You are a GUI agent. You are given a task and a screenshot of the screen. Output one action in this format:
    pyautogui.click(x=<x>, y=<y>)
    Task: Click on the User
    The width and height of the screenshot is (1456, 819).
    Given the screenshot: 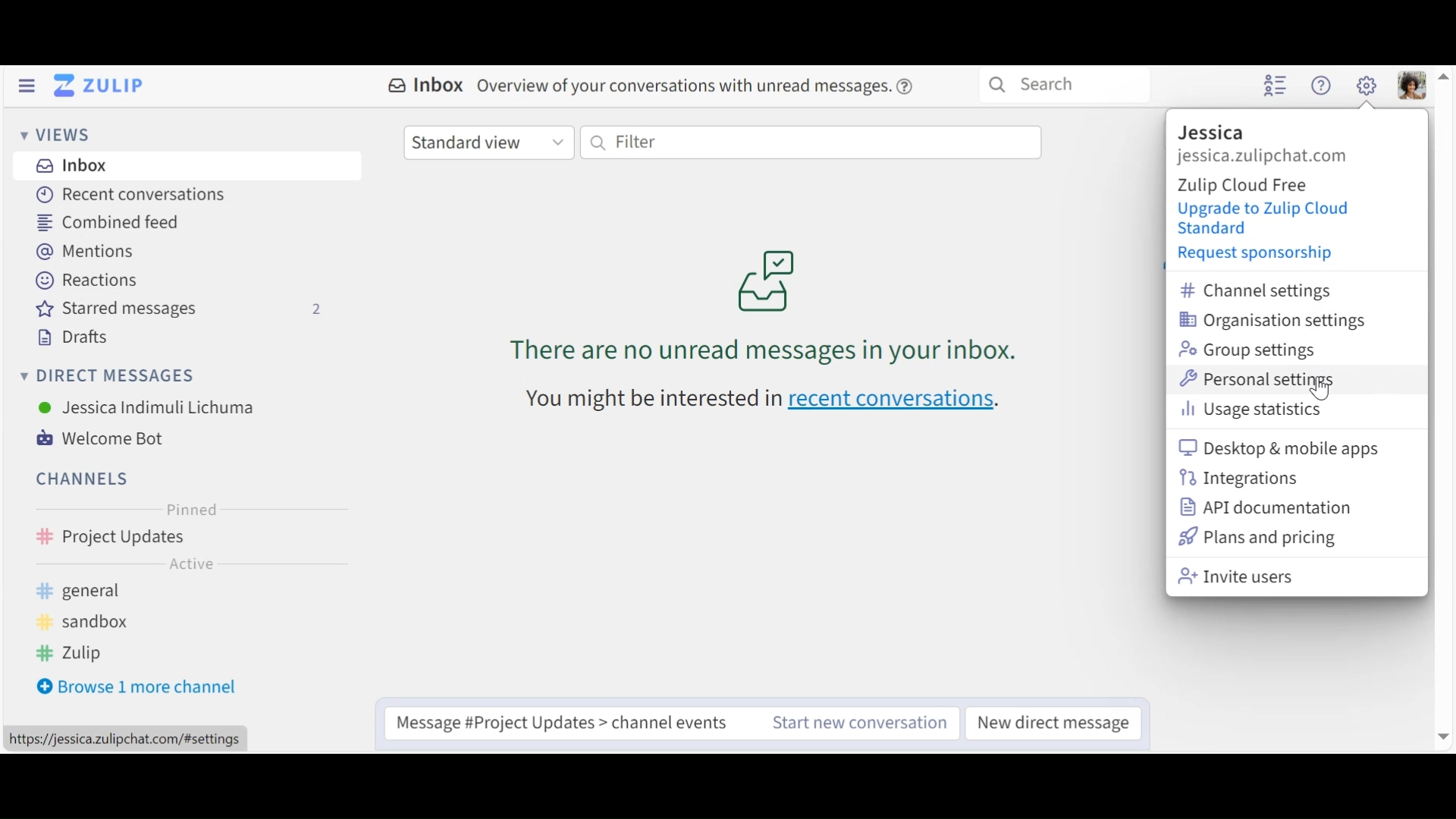 What is the action you would take?
    pyautogui.click(x=143, y=409)
    